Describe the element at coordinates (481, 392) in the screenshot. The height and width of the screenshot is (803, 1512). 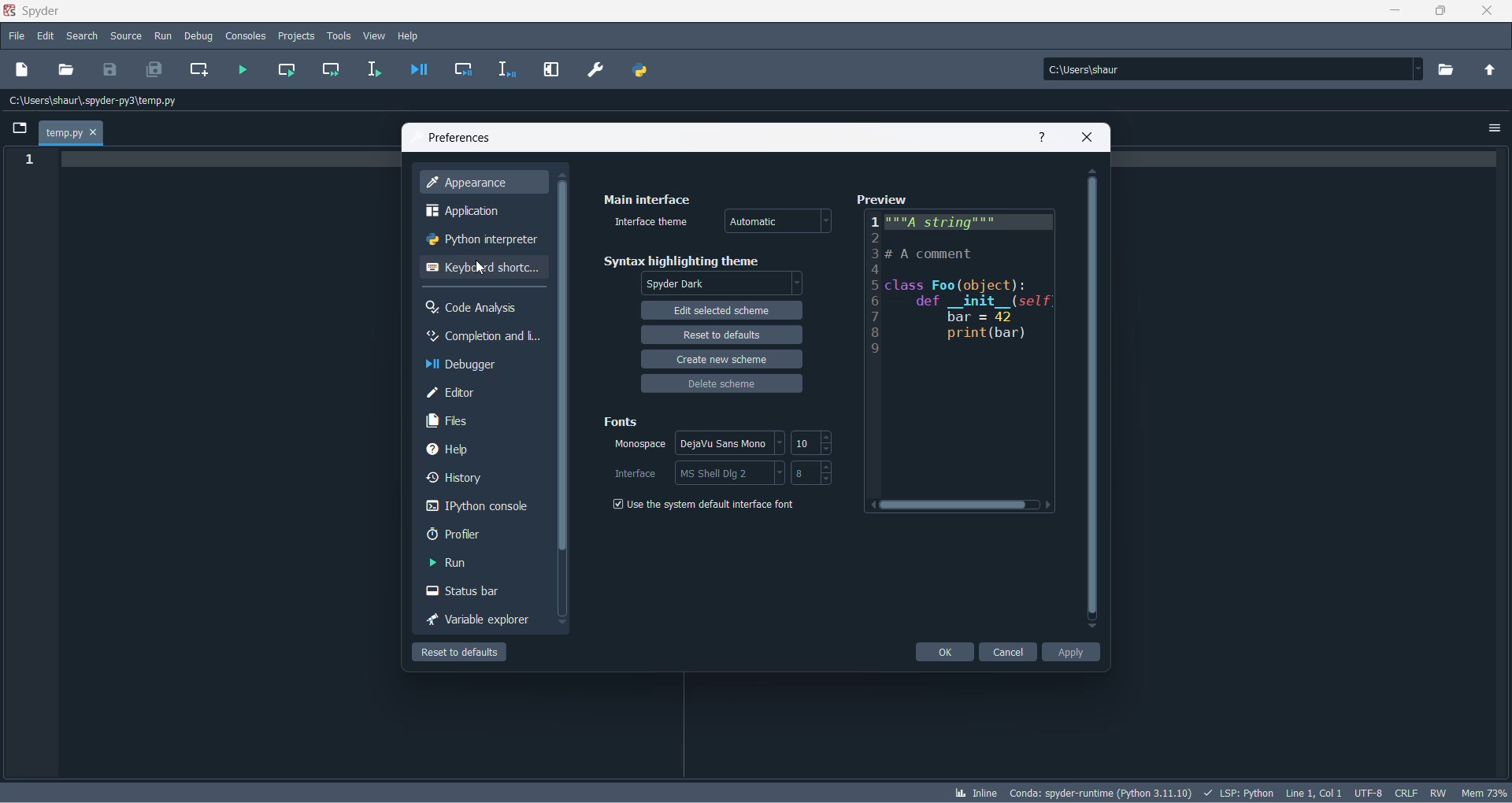
I see `editor` at that location.